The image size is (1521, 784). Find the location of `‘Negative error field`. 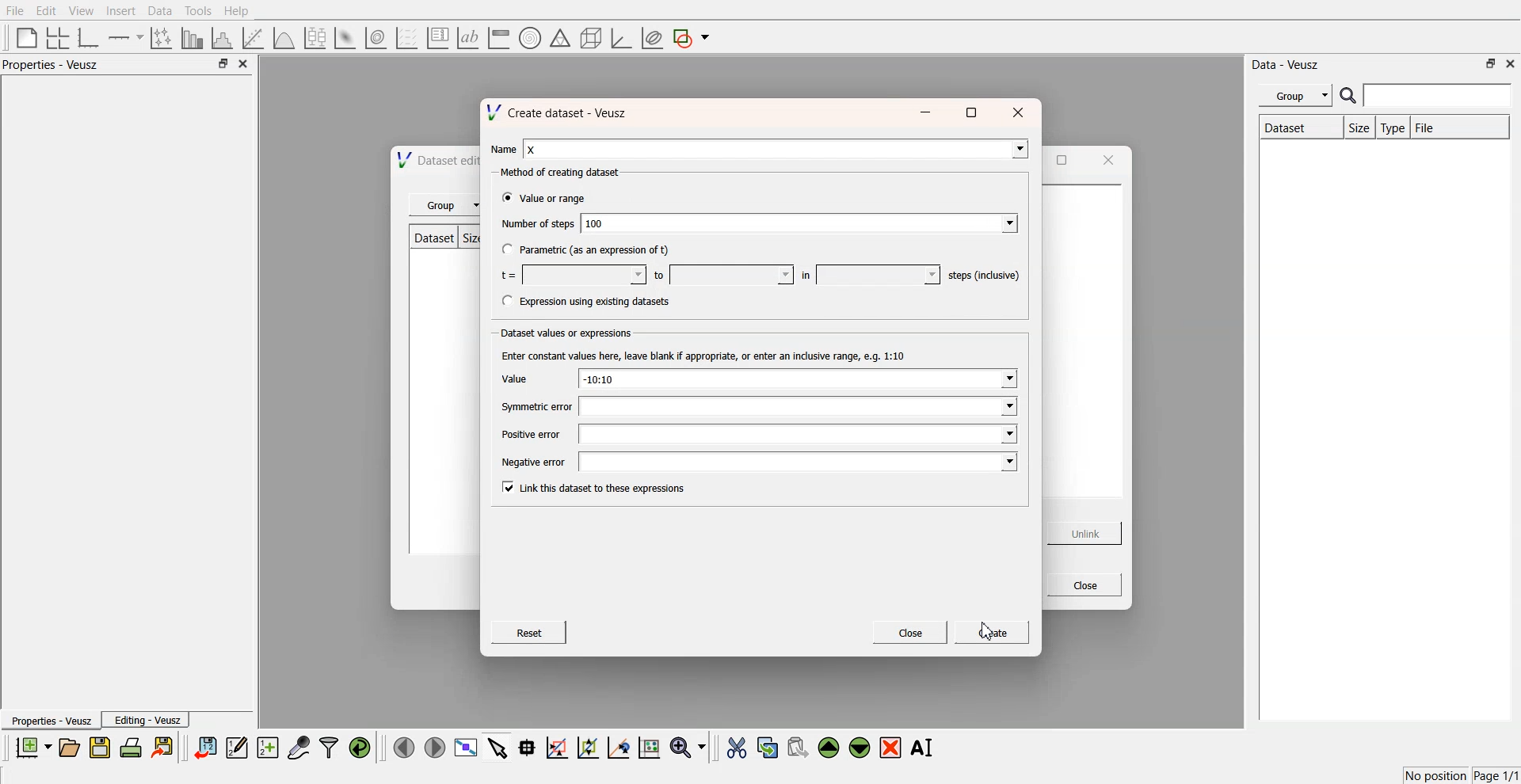

‘Negative error field is located at coordinates (797, 463).